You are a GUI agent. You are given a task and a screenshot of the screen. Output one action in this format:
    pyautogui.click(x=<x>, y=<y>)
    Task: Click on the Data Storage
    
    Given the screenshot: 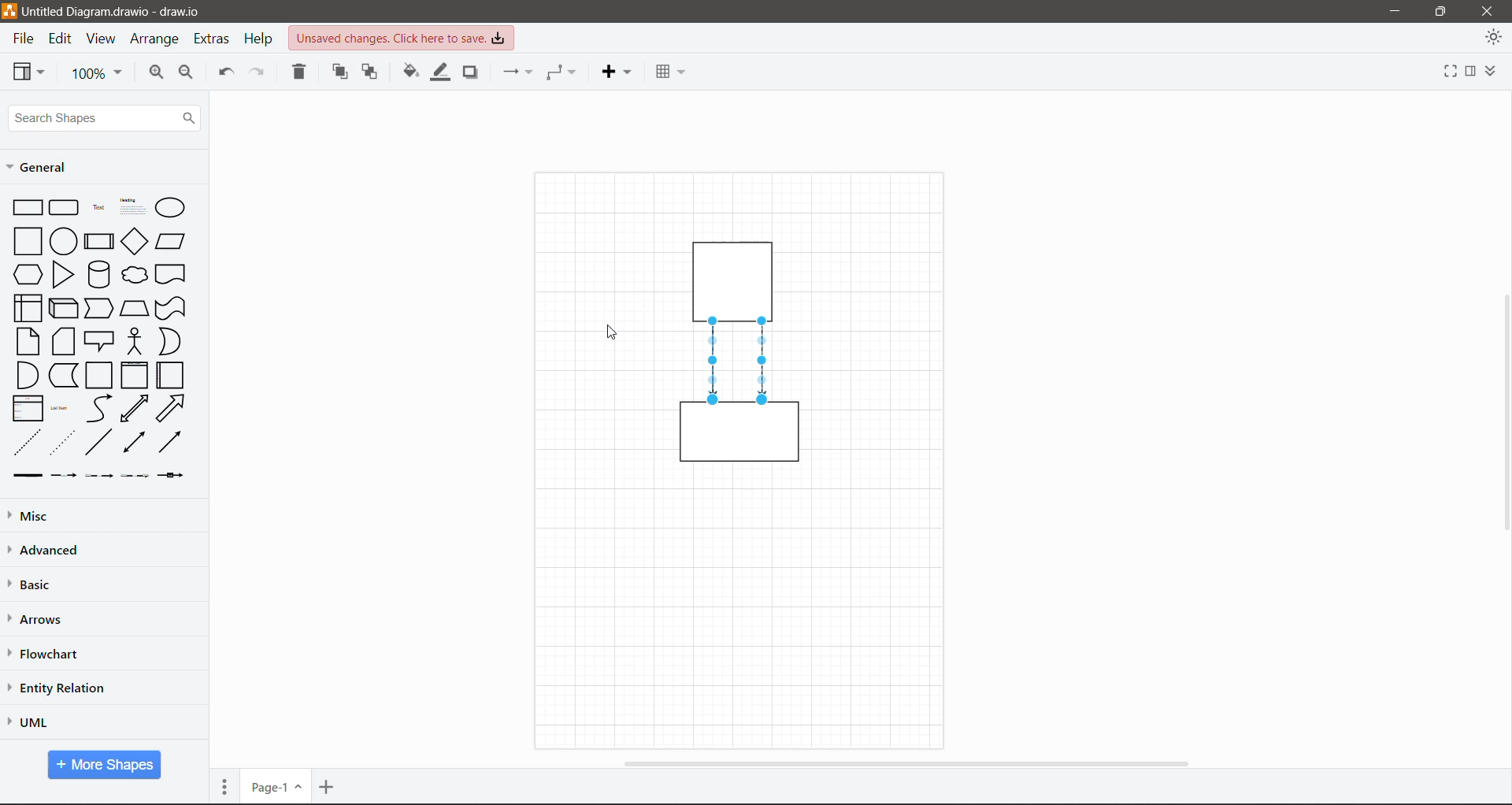 What is the action you would take?
    pyautogui.click(x=62, y=375)
    